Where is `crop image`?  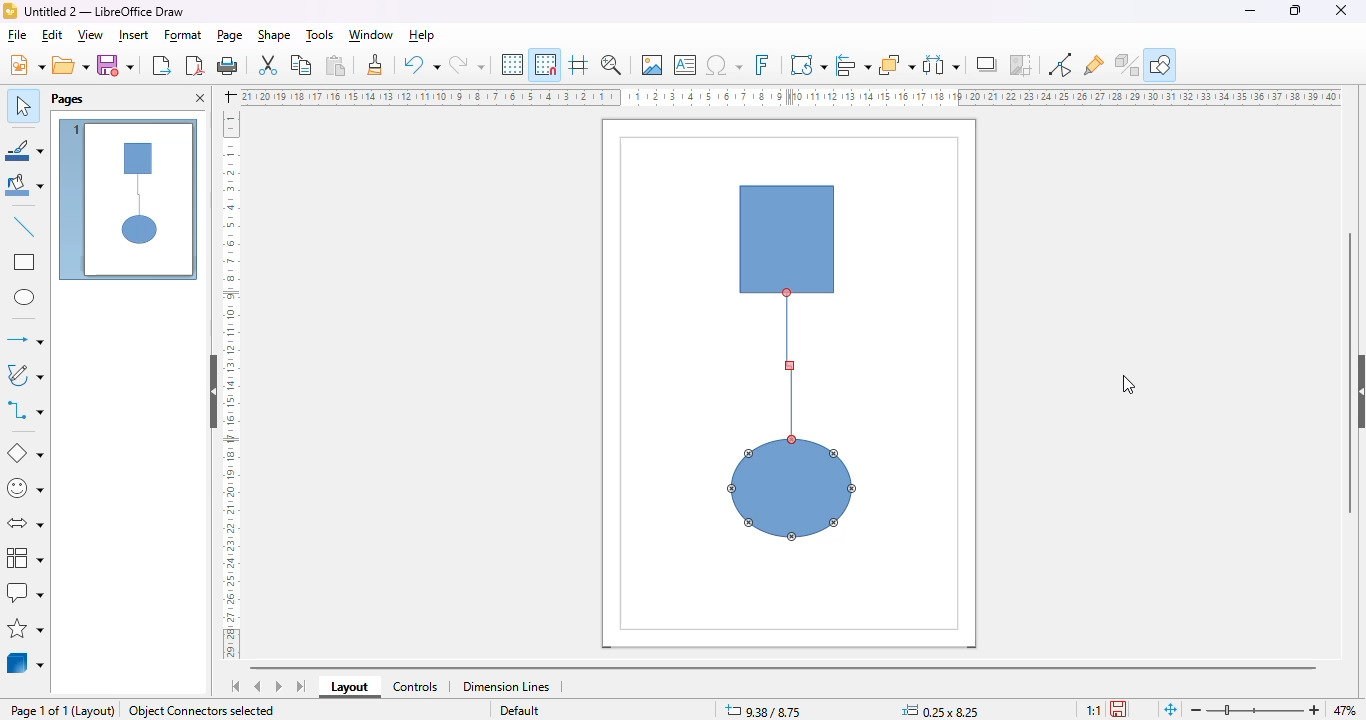 crop image is located at coordinates (1020, 65).